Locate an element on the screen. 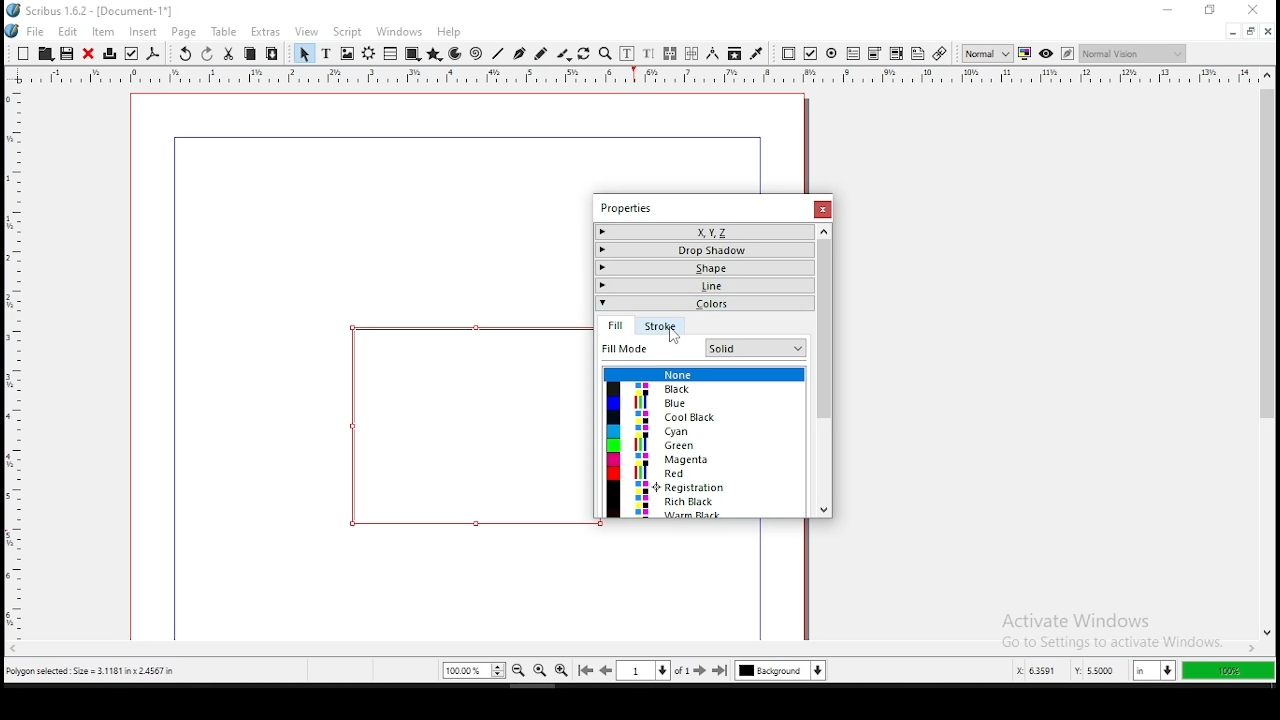 The width and height of the screenshot is (1280, 720). zoom 100% is located at coordinates (474, 670).